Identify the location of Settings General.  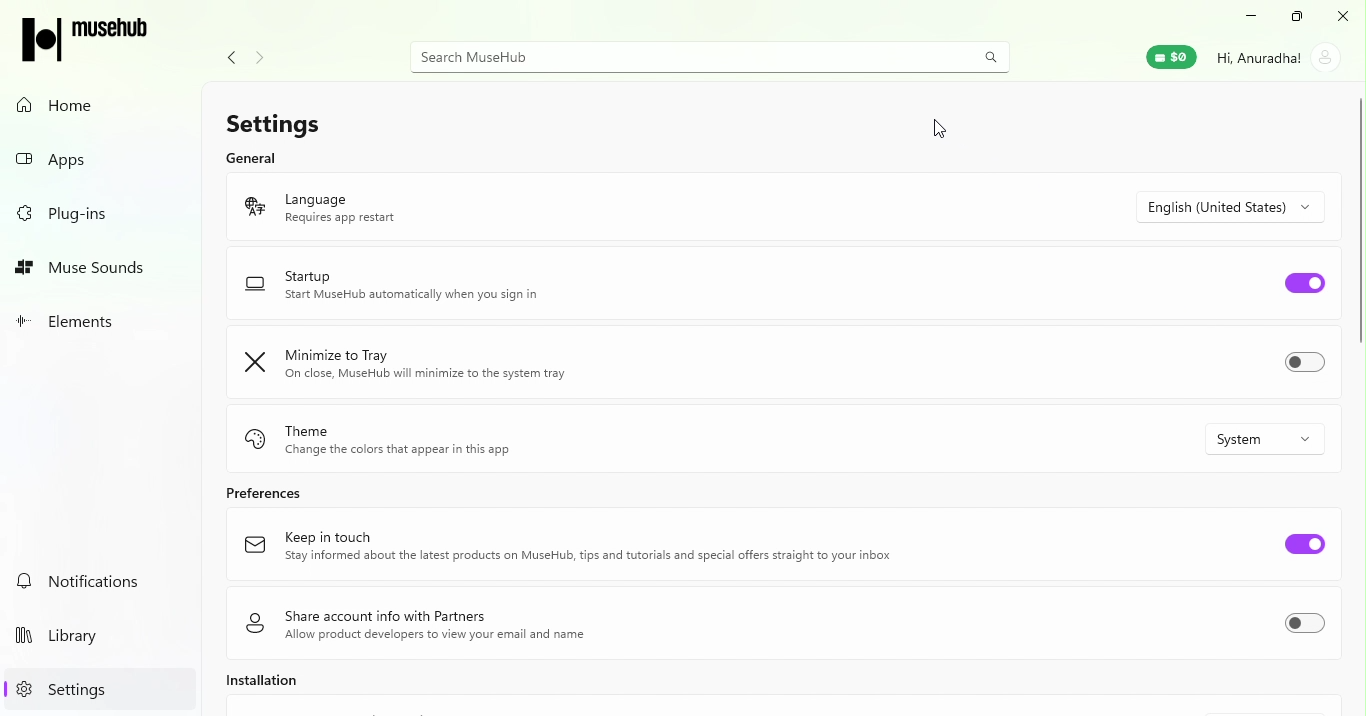
(376, 131).